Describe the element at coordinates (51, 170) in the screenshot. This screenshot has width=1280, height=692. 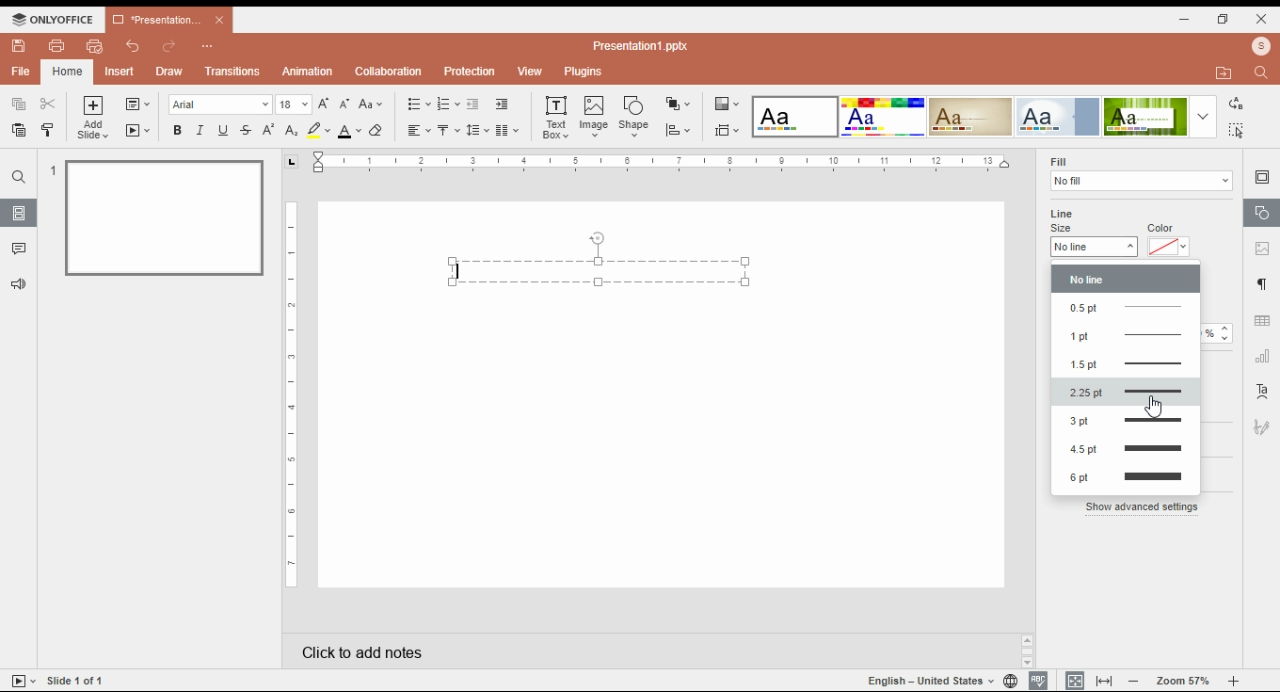
I see `1` at that location.